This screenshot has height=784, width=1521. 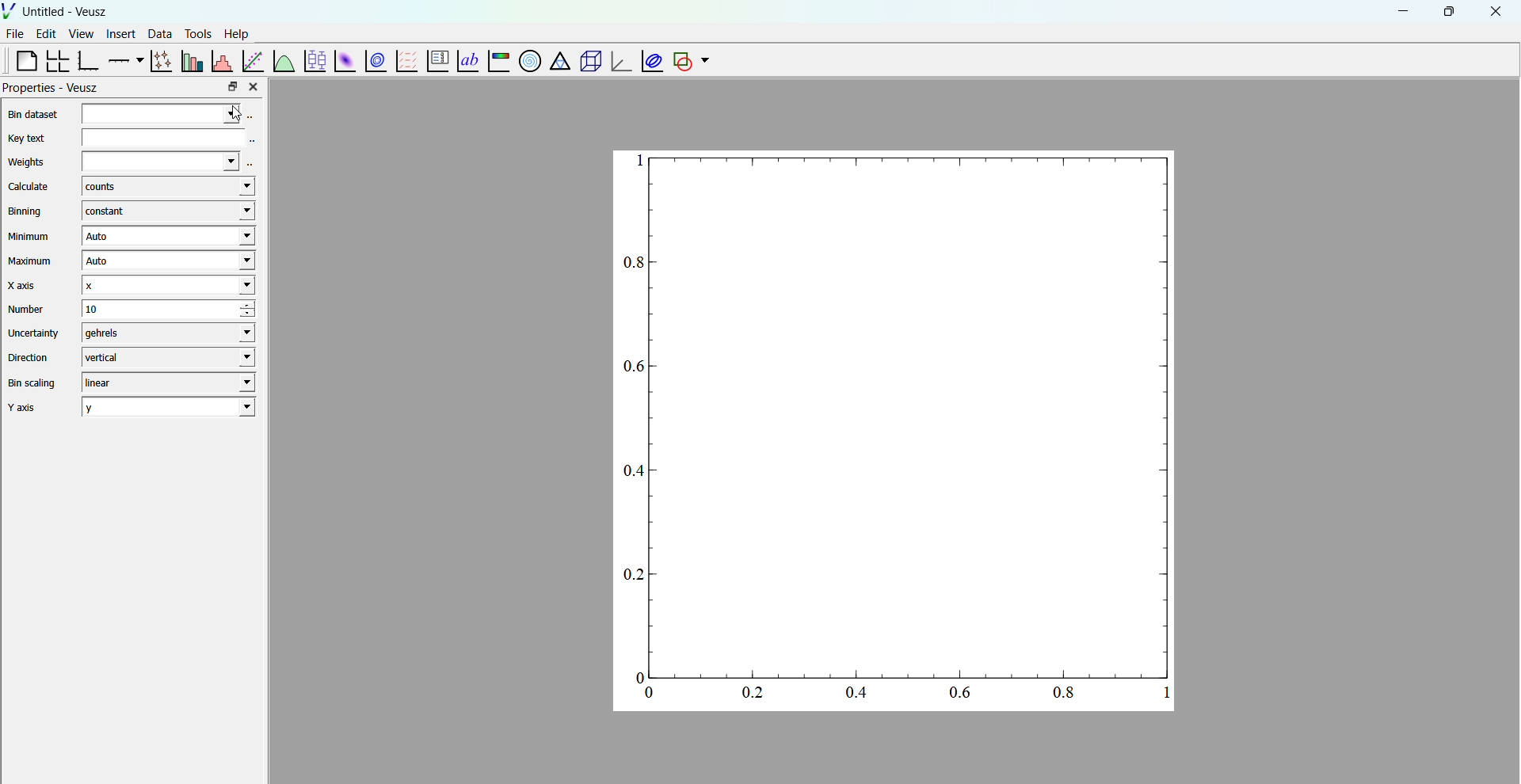 I want to click on logo of Veusz, so click(x=10, y=10).